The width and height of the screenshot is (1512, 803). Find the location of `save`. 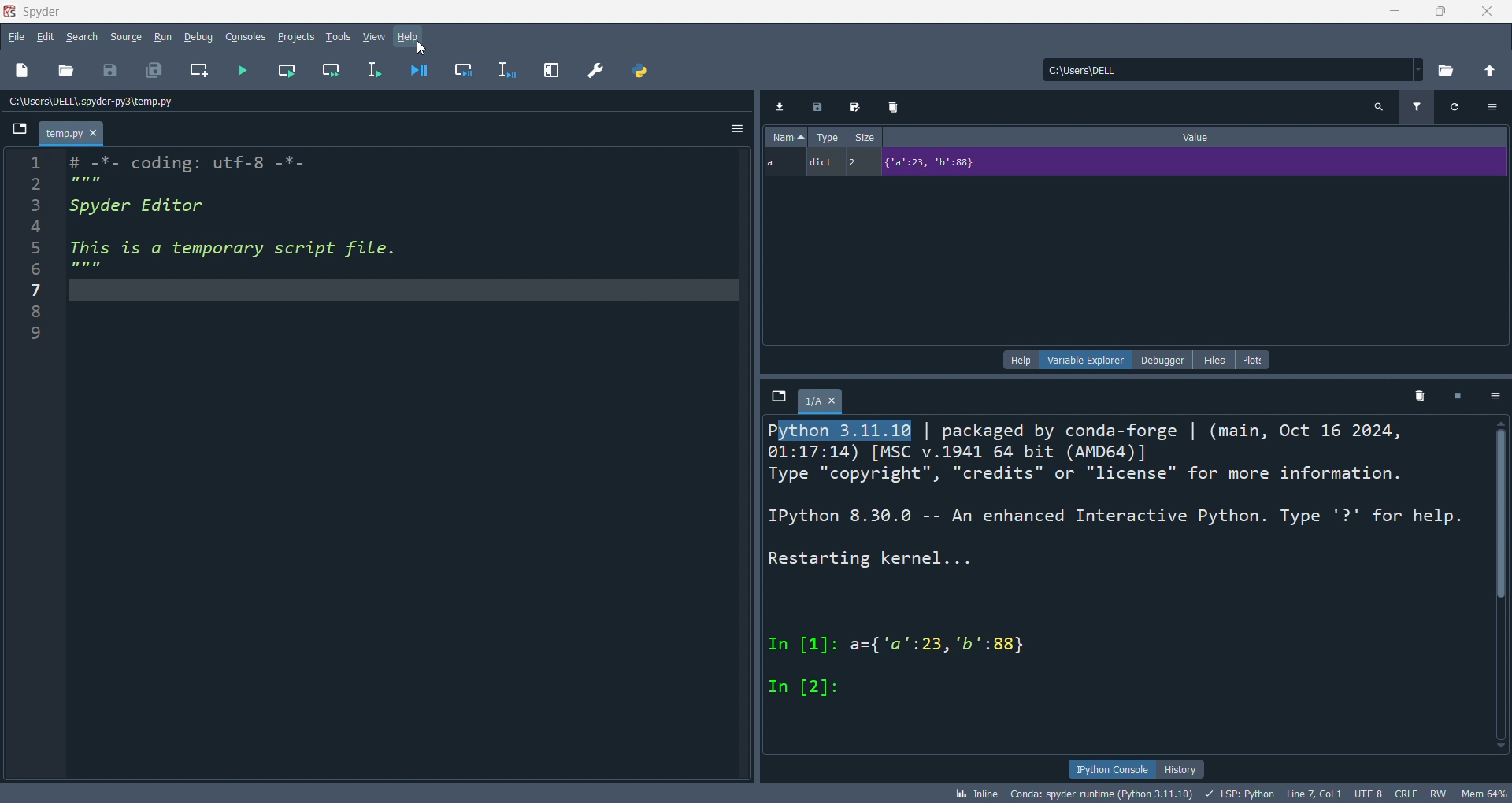

save is located at coordinates (110, 72).